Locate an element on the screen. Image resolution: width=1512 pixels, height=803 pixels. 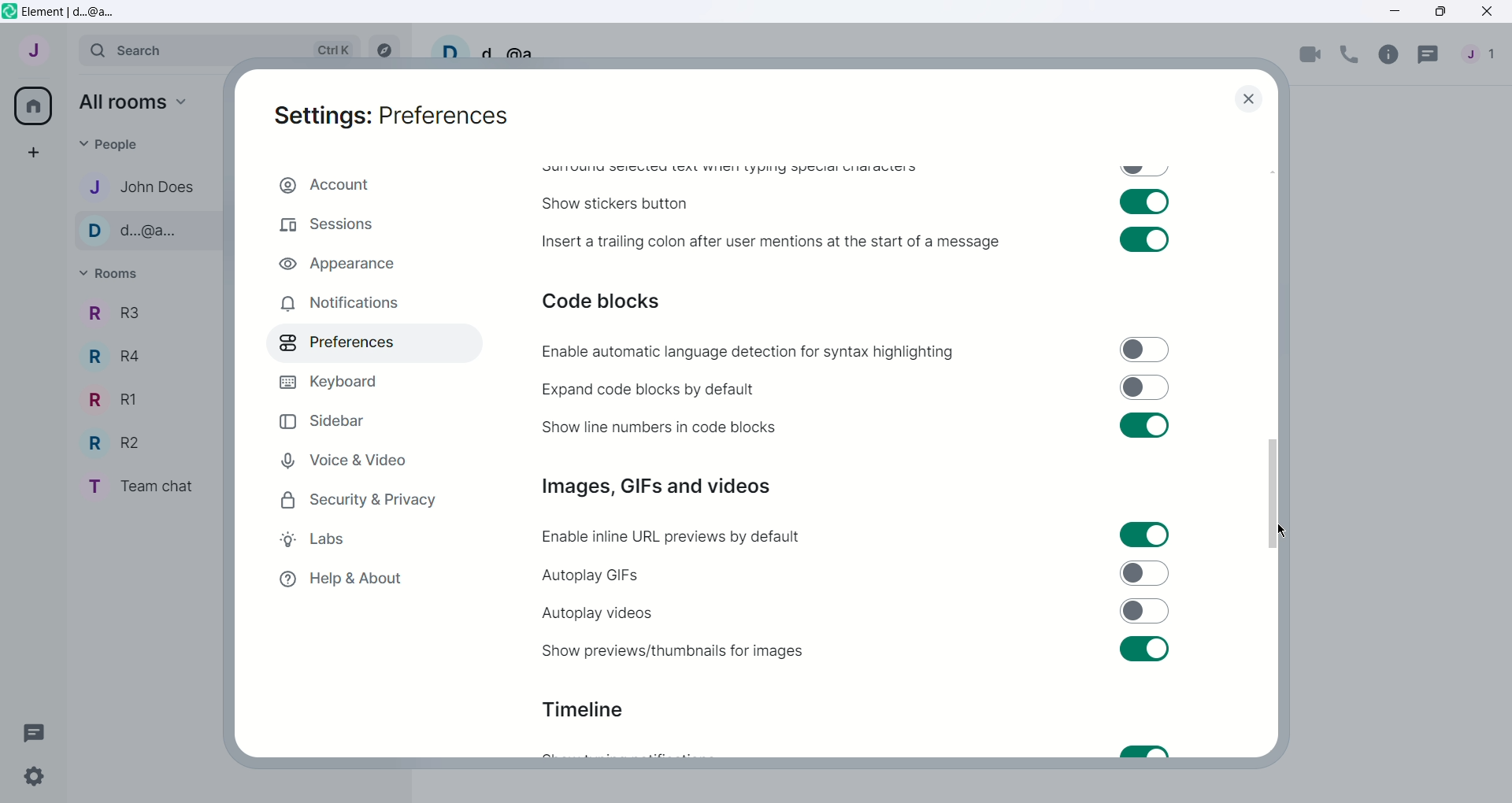
People is located at coordinates (1484, 56).